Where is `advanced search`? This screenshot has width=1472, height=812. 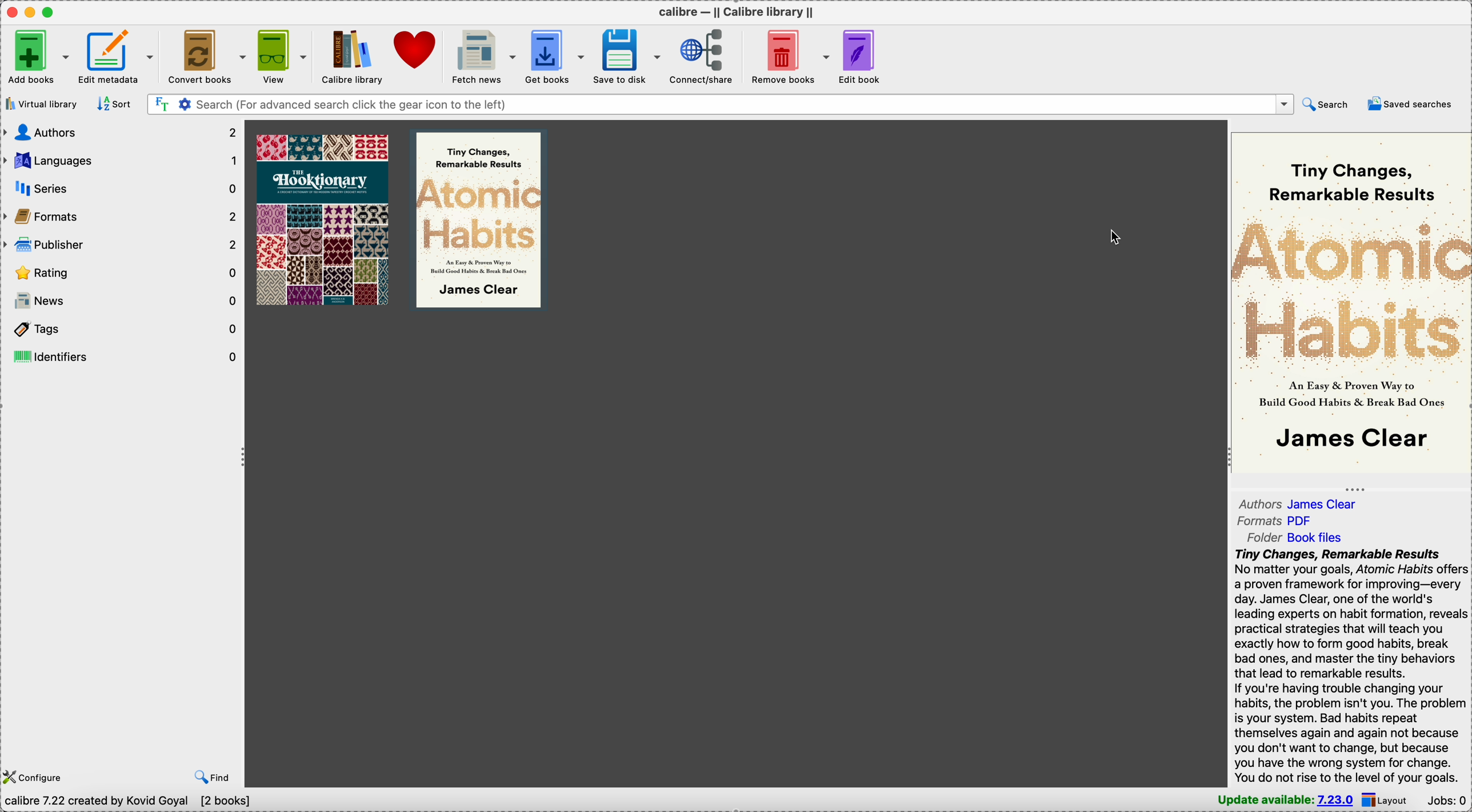 advanced search is located at coordinates (183, 104).